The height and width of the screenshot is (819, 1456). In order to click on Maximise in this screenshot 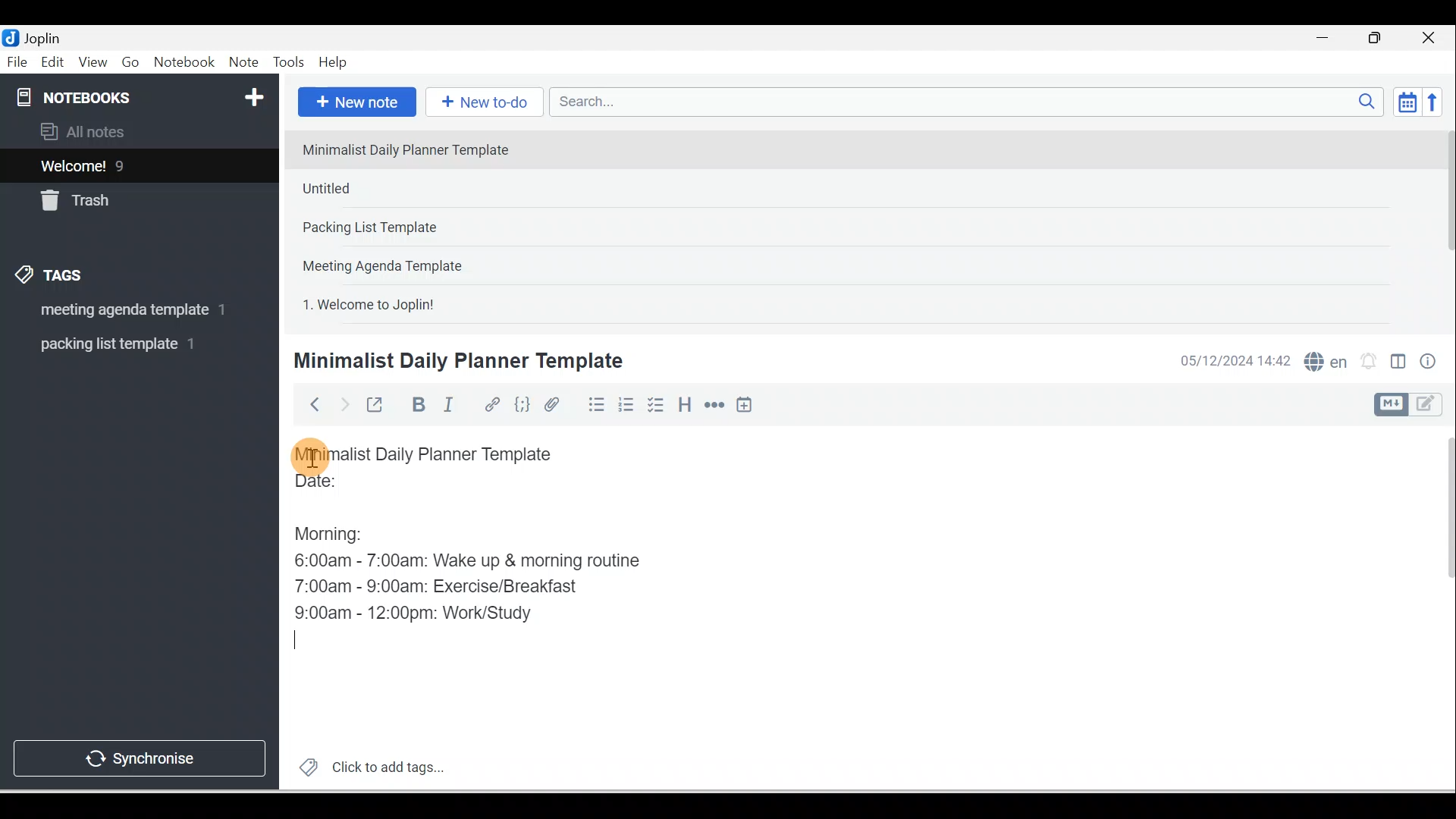, I will do `click(1380, 39)`.